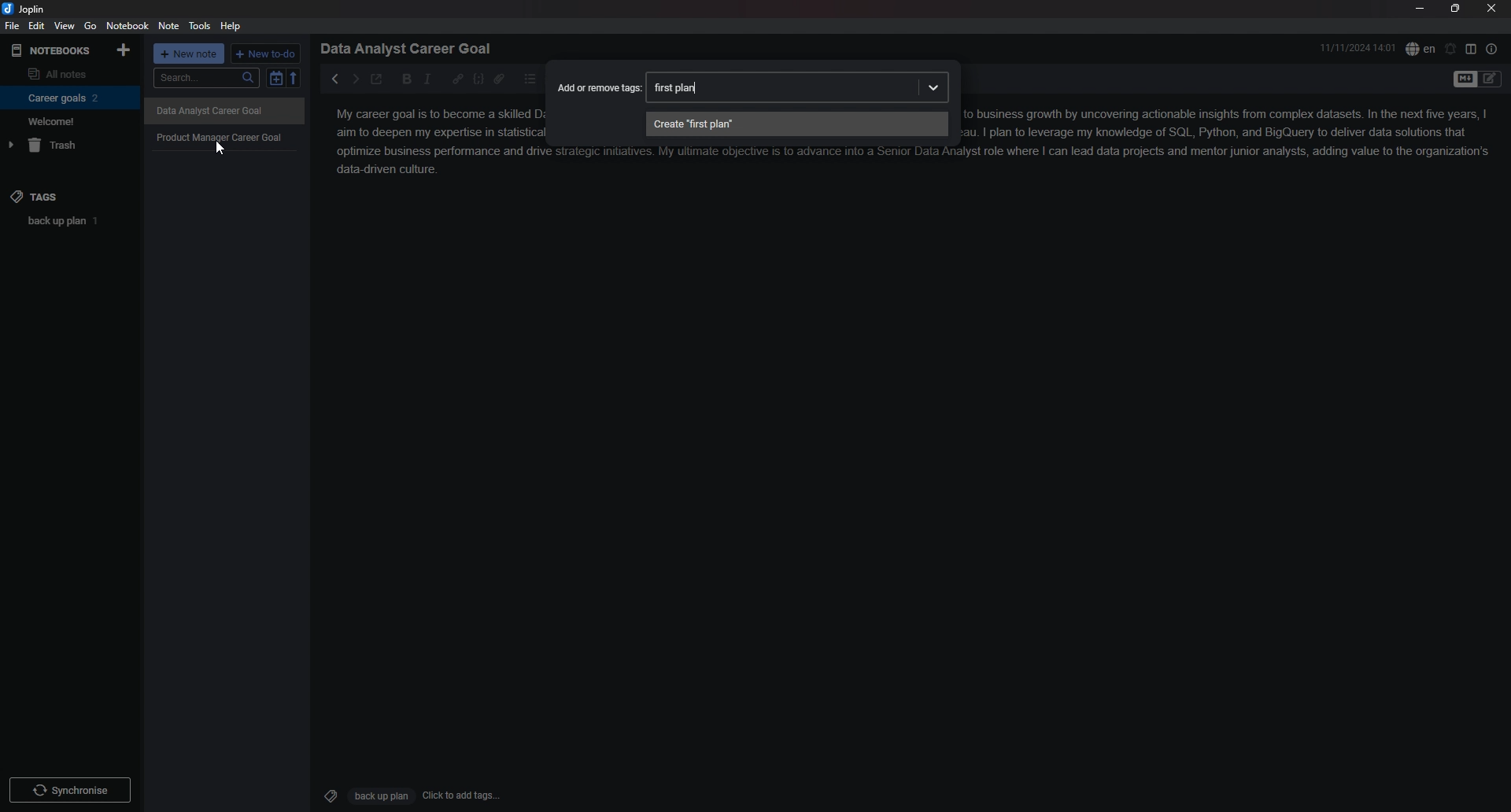 The image size is (1511, 812). I want to click on Toggle Editor, so click(1491, 80).